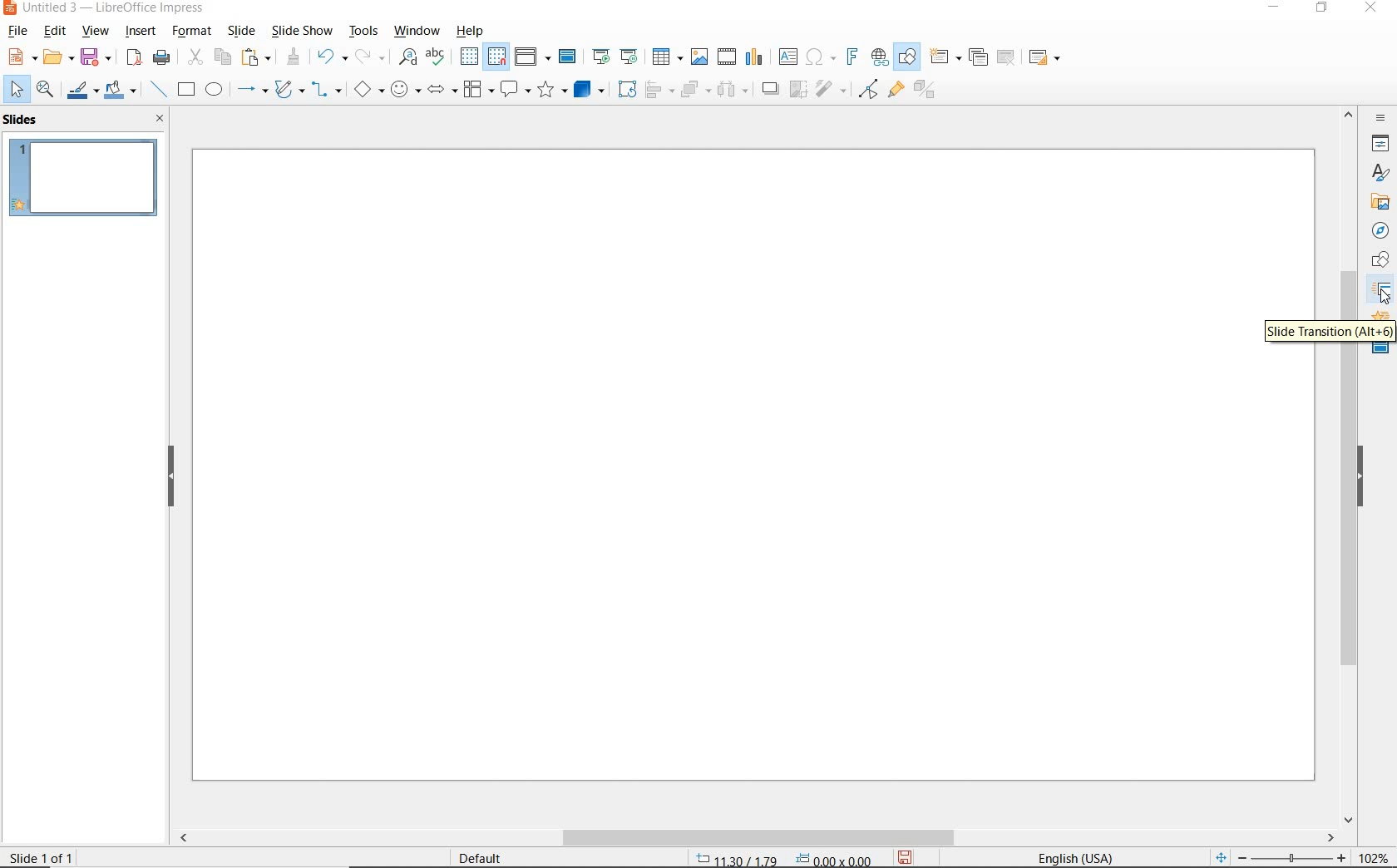 This screenshot has height=868, width=1397. Describe the element at coordinates (407, 58) in the screenshot. I see `FIND AND REPLACE` at that location.